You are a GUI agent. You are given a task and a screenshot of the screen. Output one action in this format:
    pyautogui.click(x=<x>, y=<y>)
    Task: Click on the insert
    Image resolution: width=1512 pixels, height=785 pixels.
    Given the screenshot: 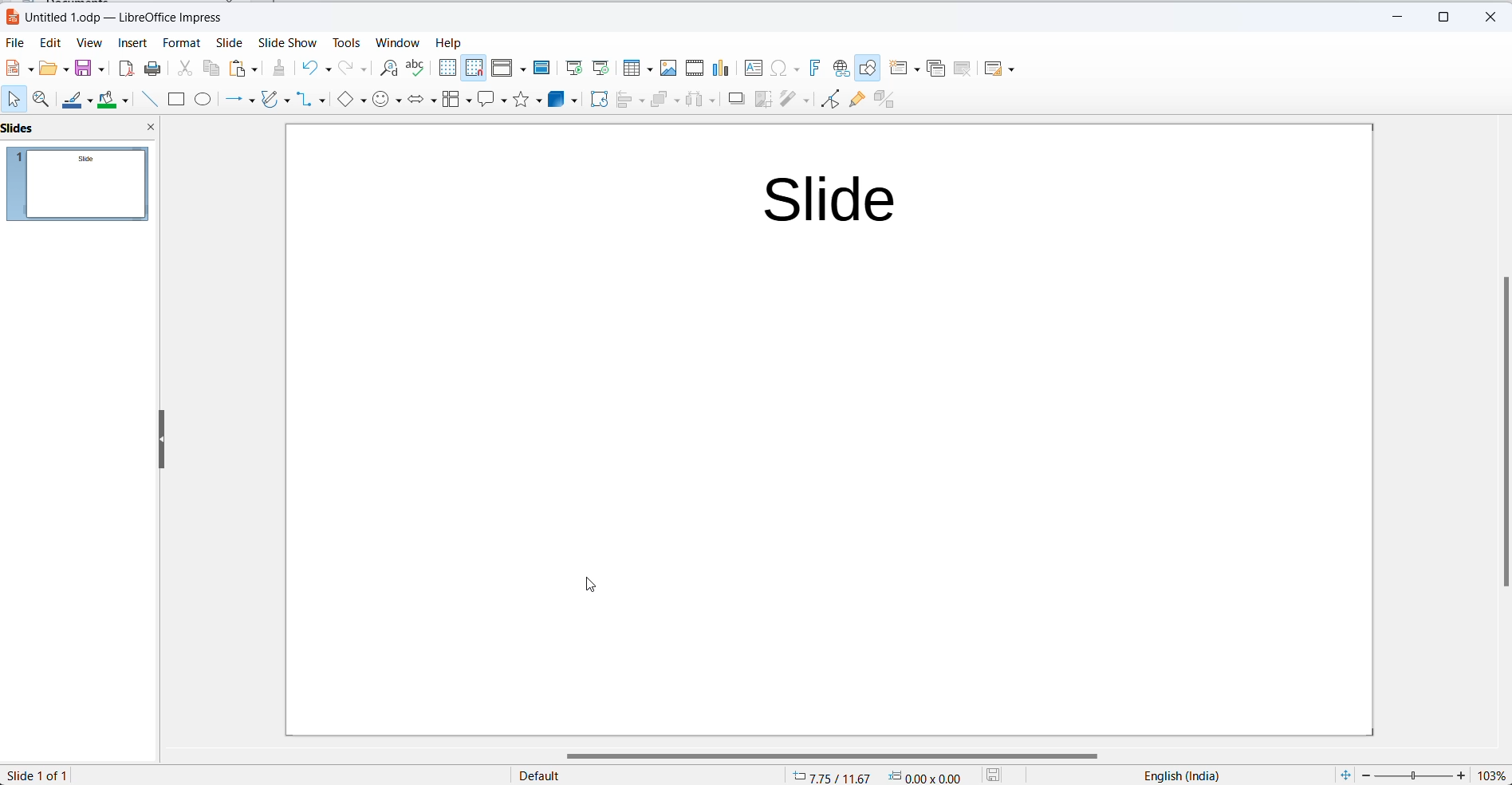 What is the action you would take?
    pyautogui.click(x=131, y=43)
    